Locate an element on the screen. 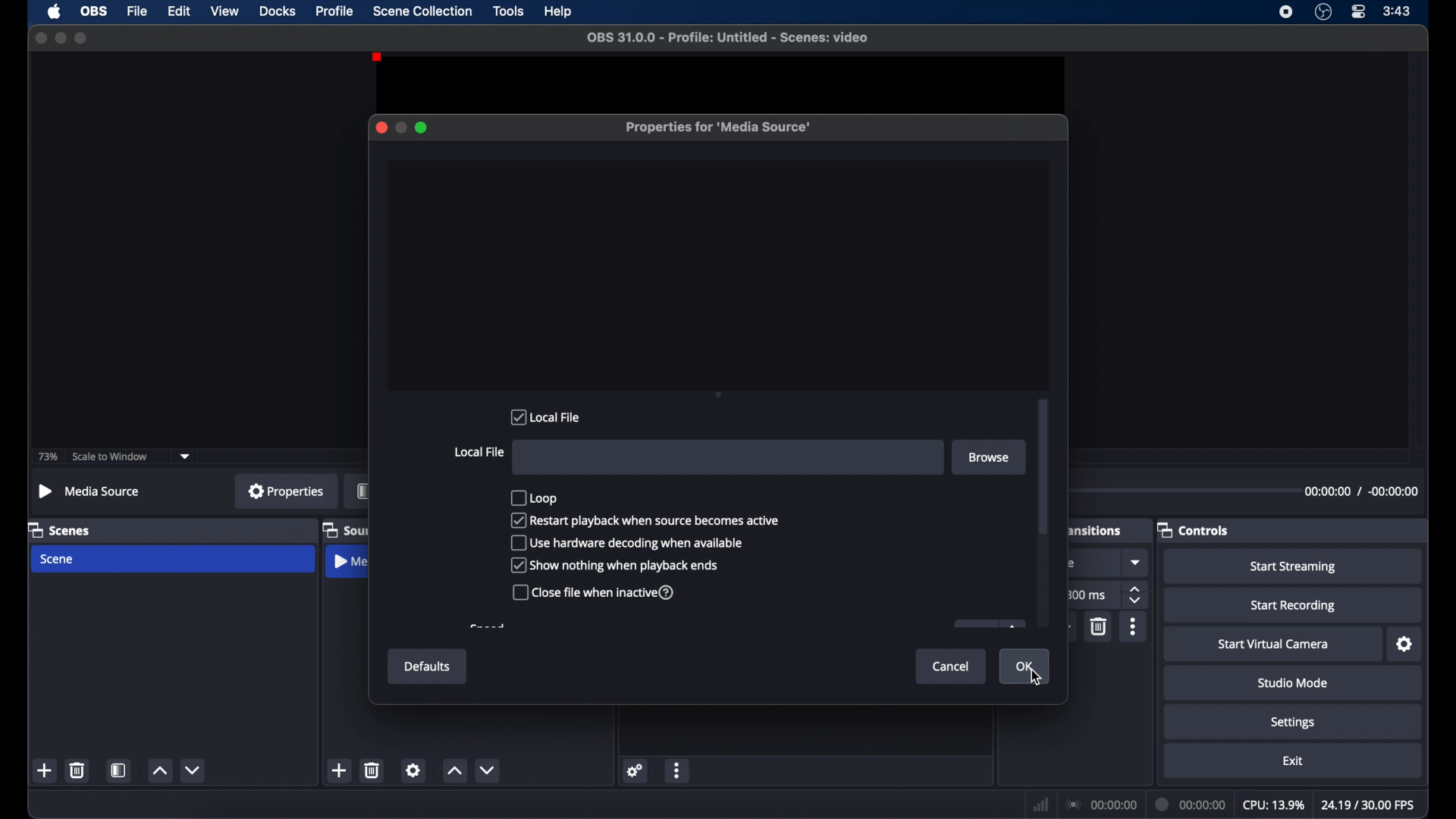  settings is located at coordinates (1294, 723).